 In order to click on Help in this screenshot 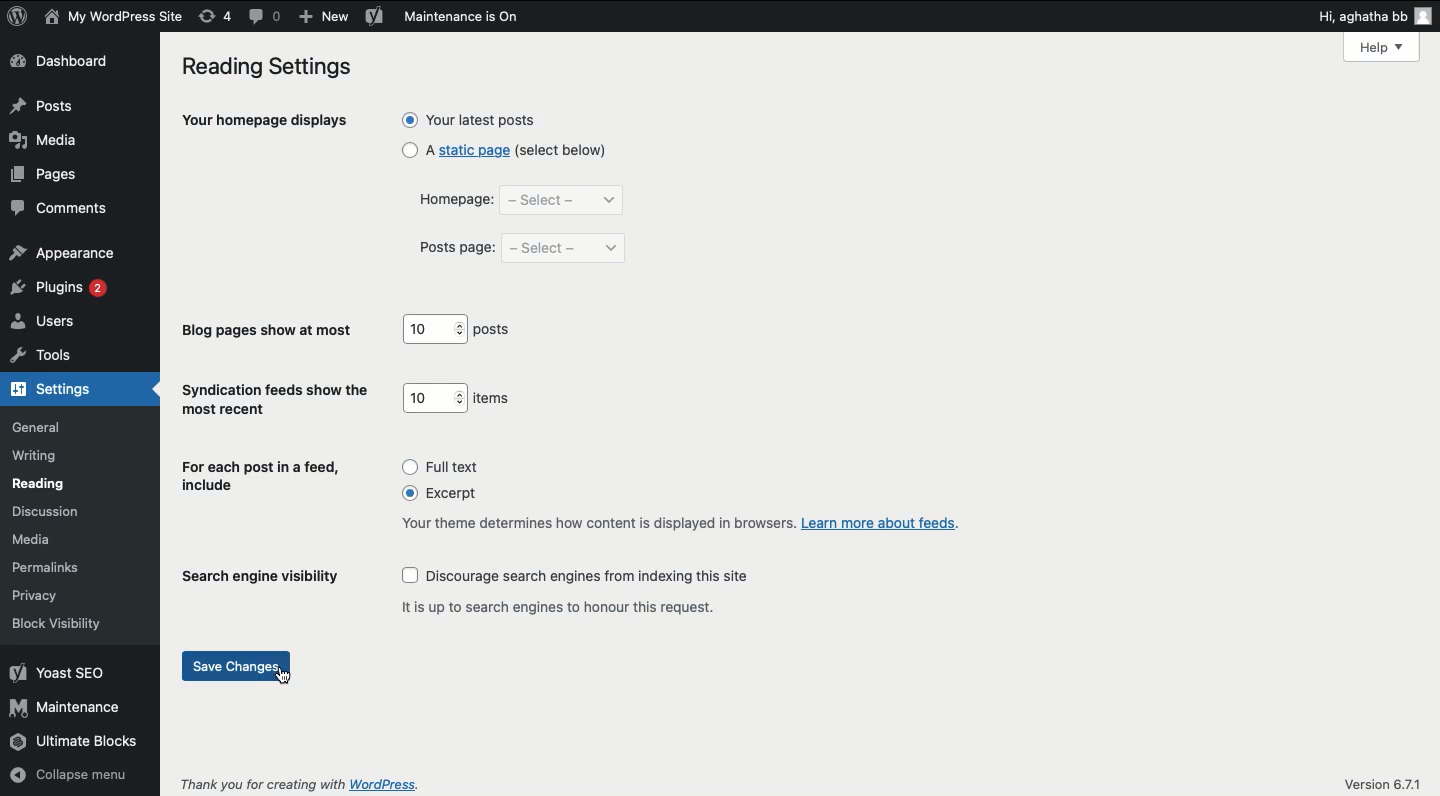, I will do `click(1381, 47)`.